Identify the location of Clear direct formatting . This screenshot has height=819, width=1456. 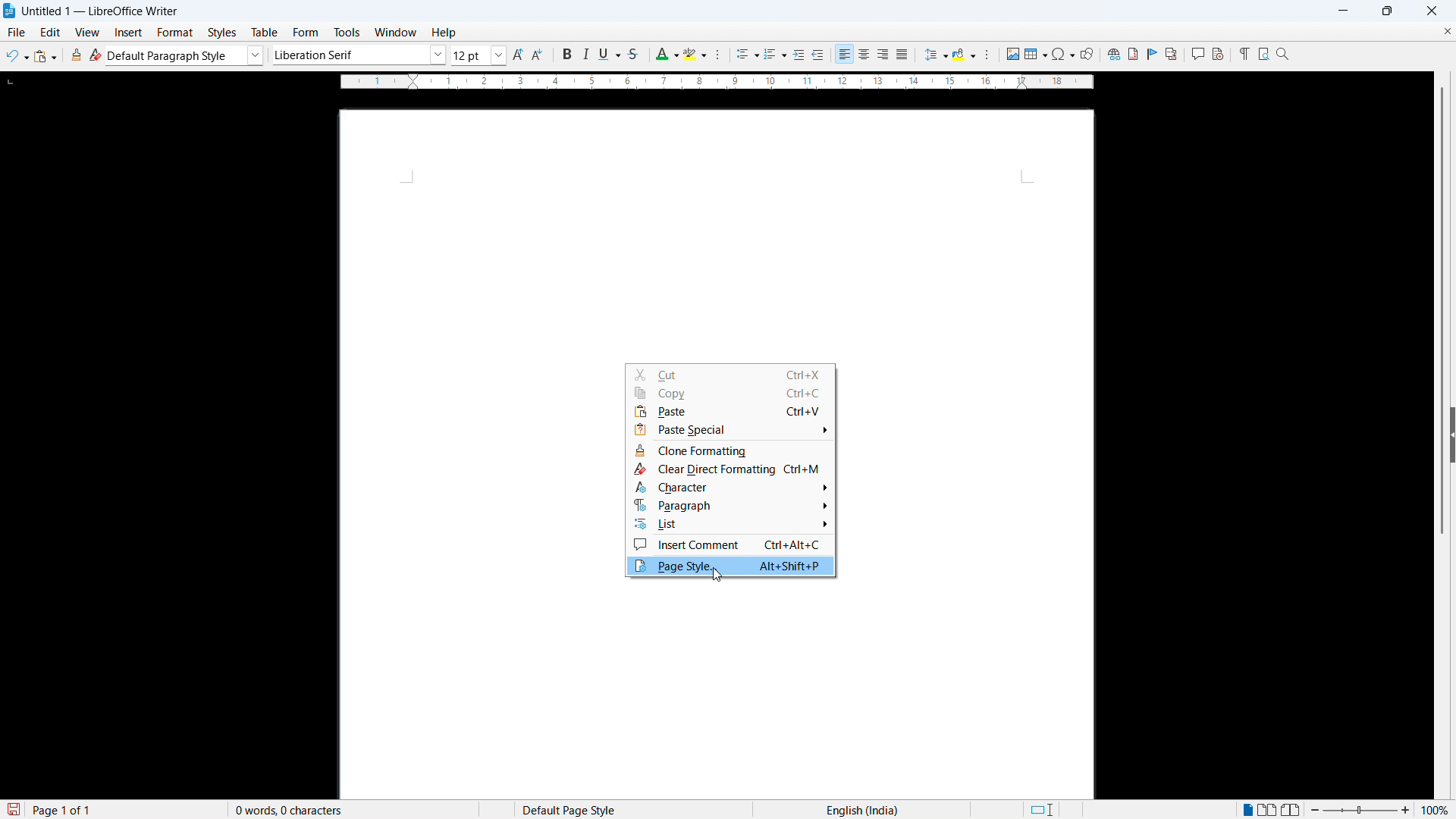
(96, 55).